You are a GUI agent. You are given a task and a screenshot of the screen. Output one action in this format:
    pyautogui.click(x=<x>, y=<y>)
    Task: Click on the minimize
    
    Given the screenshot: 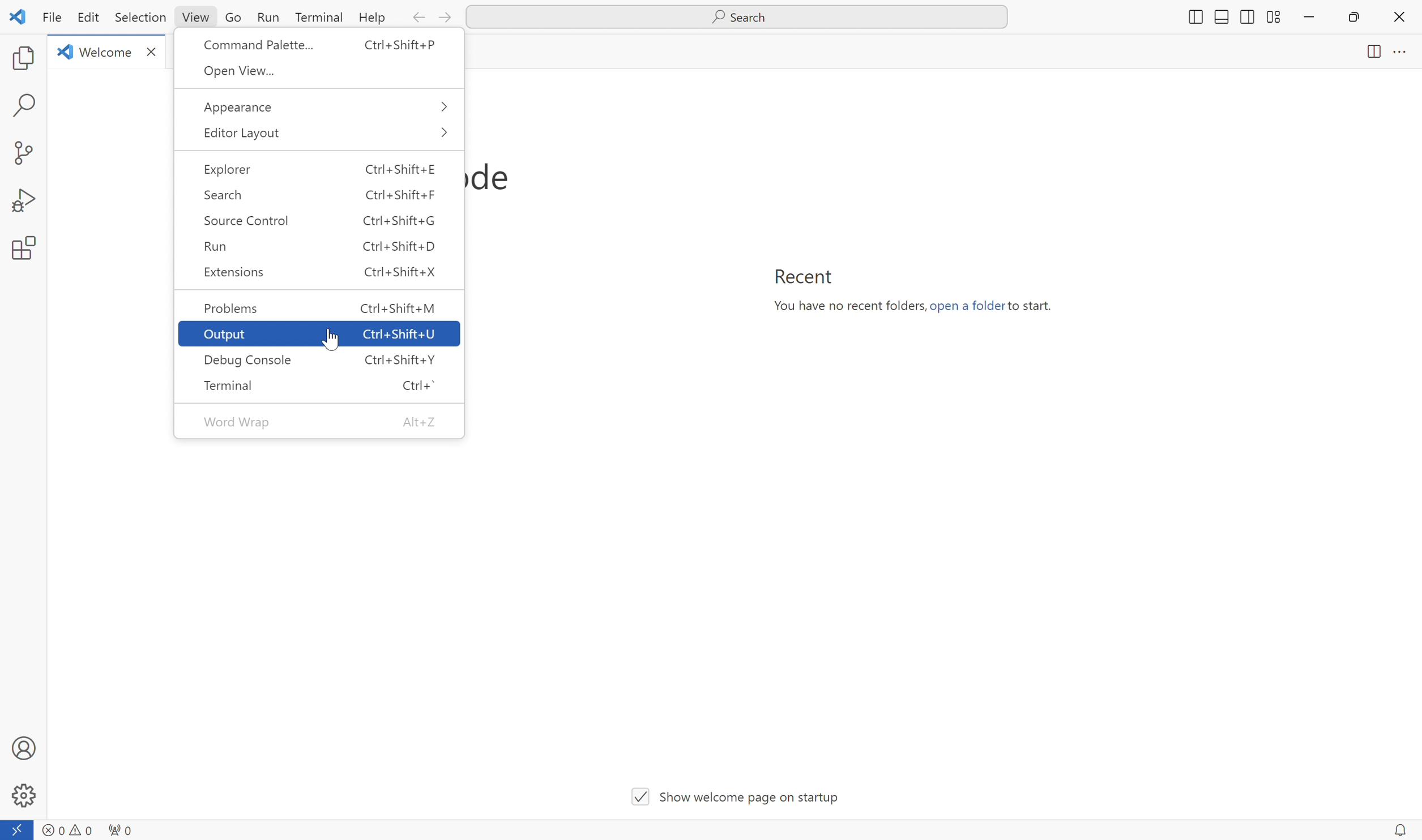 What is the action you would take?
    pyautogui.click(x=1307, y=19)
    